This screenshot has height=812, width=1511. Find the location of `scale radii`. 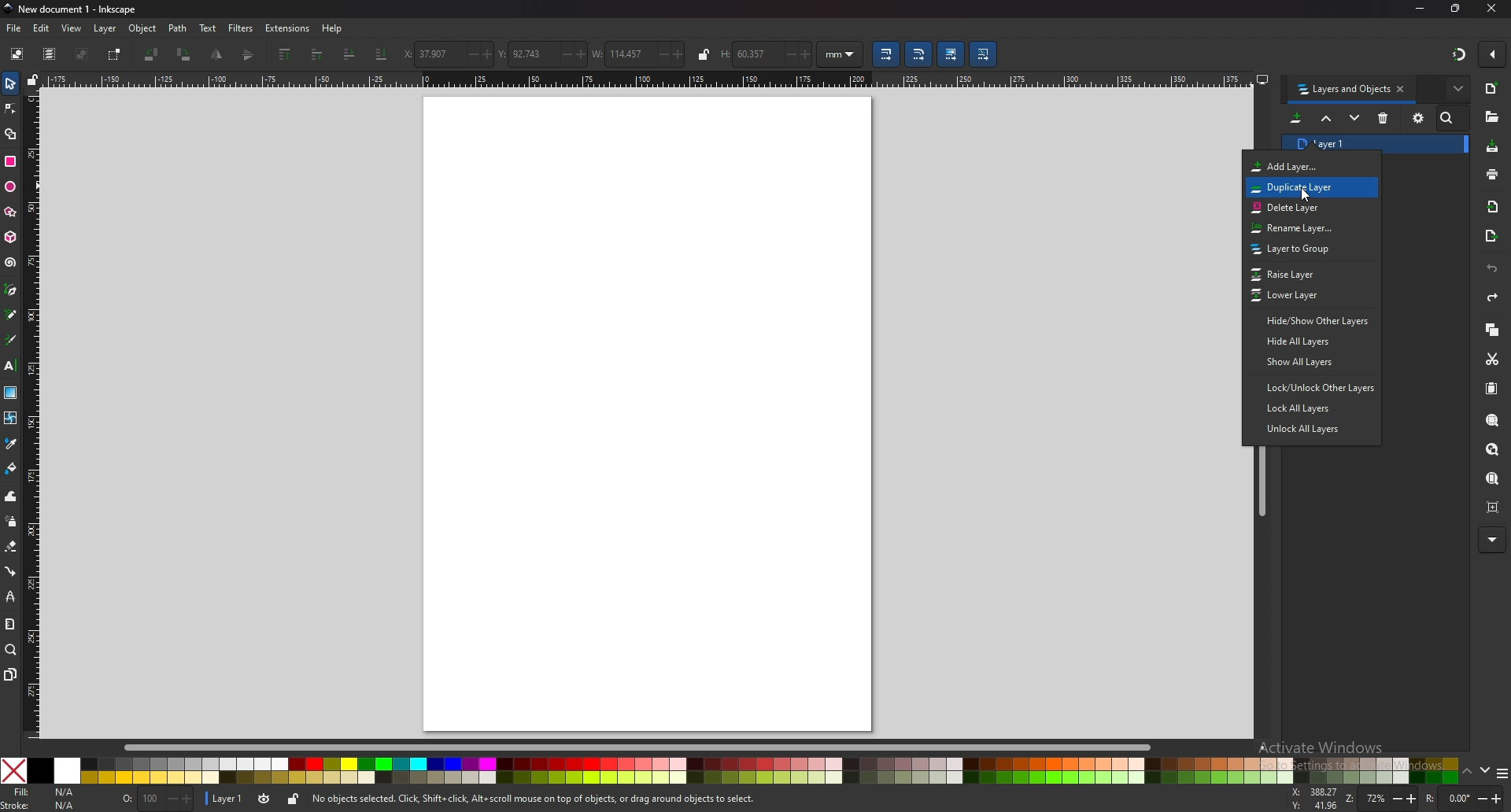

scale radii is located at coordinates (919, 54).